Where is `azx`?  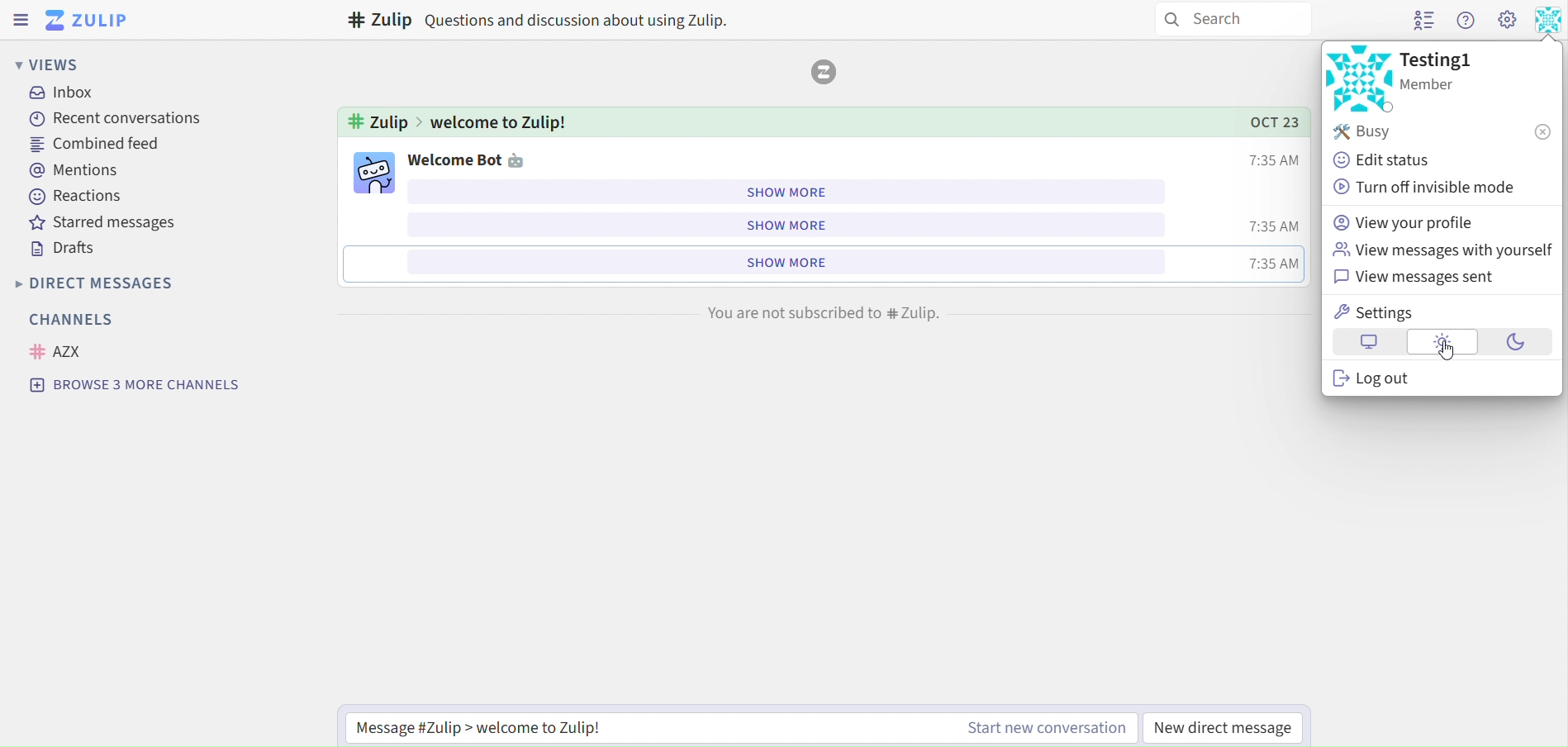 azx is located at coordinates (64, 350).